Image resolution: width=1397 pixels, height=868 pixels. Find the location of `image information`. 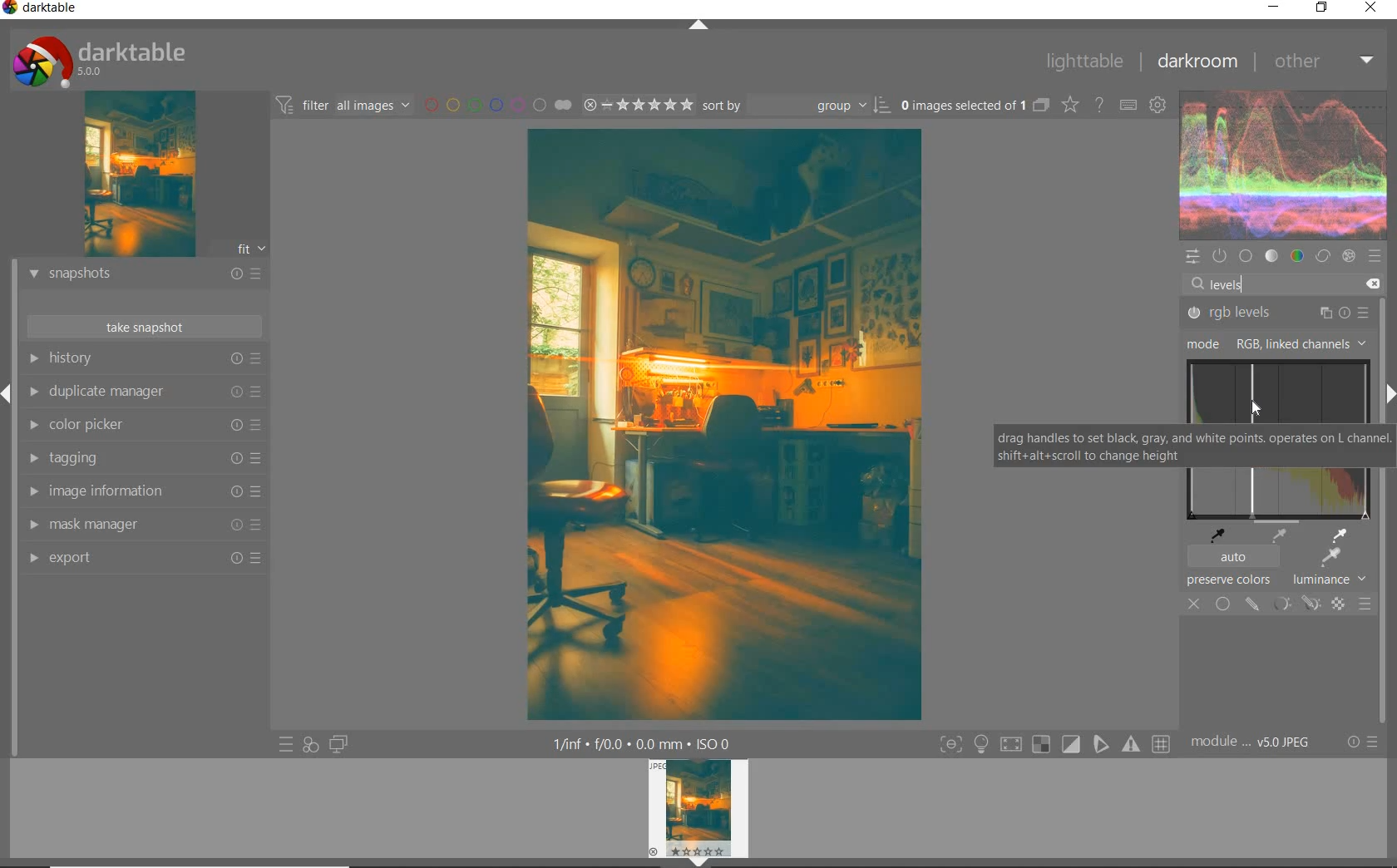

image information is located at coordinates (143, 491).